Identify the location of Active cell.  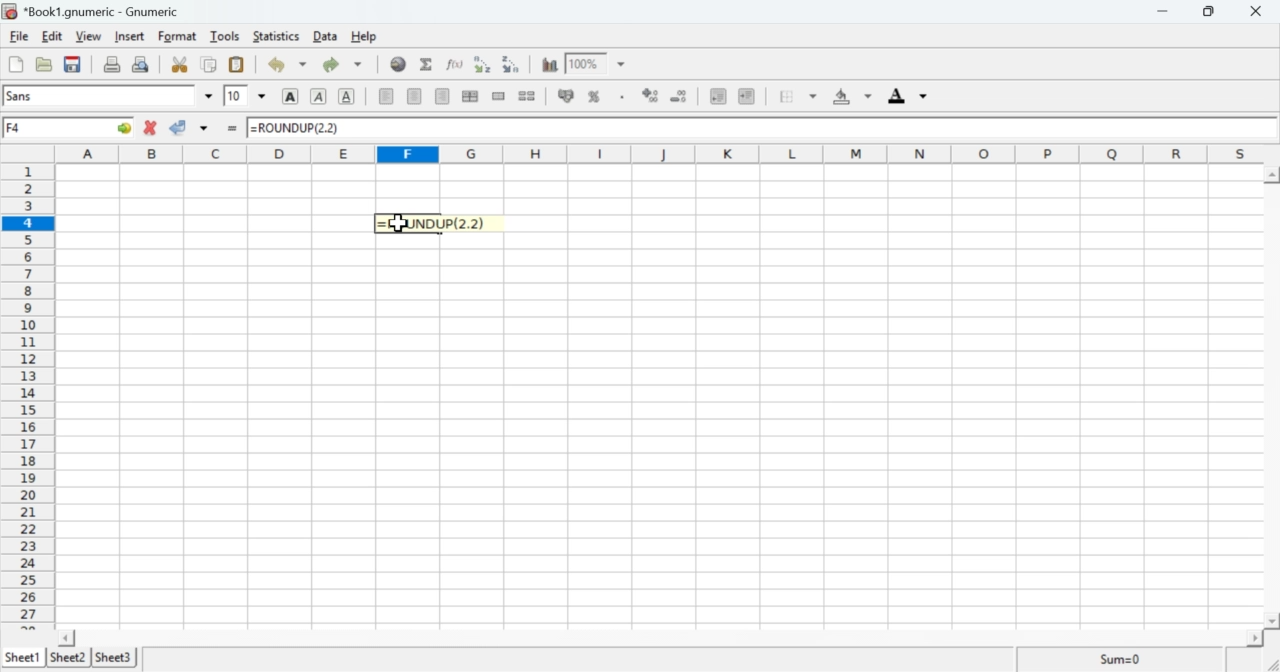
(71, 129).